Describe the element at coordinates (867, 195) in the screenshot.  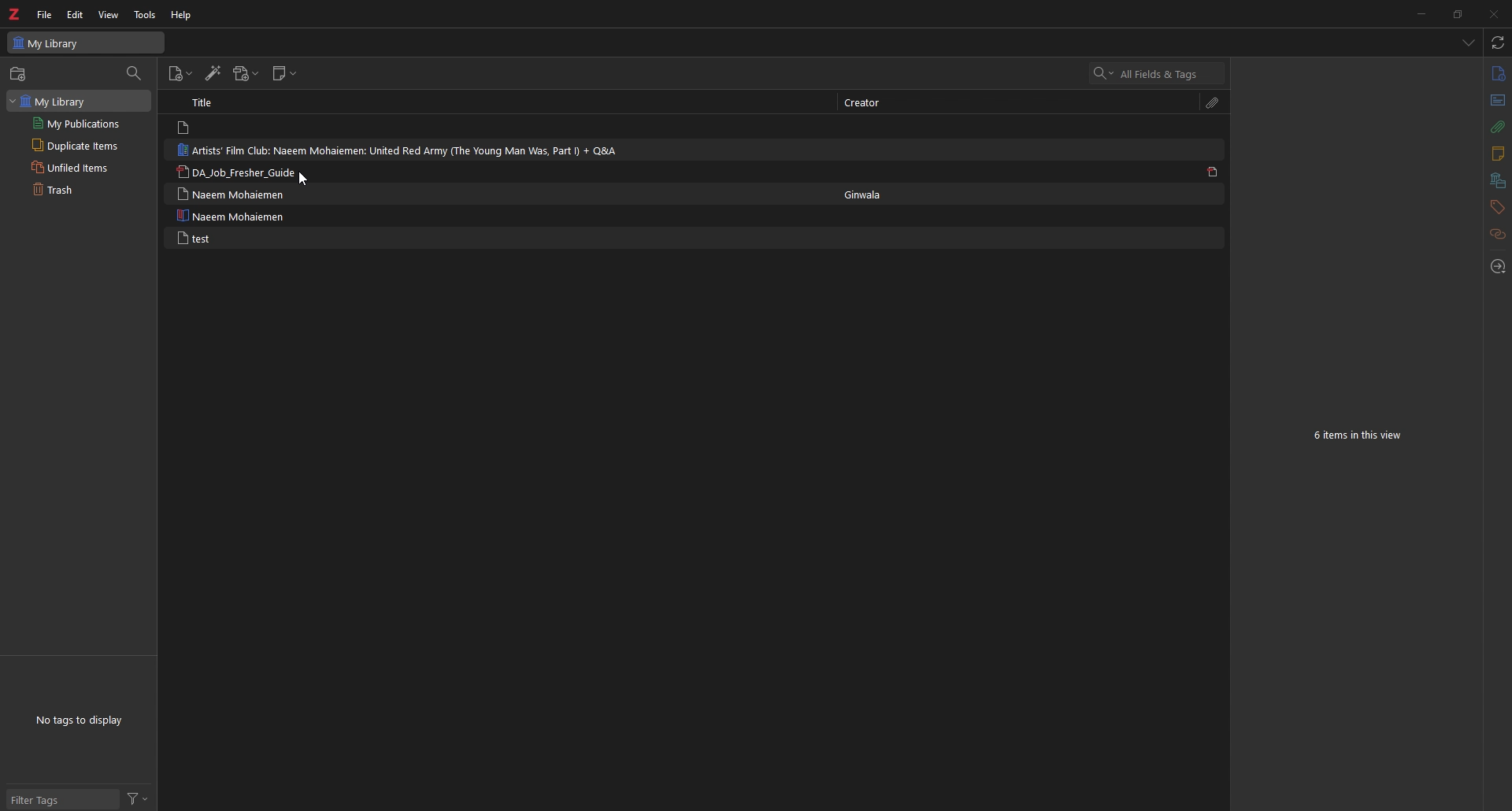
I see `creator` at that location.